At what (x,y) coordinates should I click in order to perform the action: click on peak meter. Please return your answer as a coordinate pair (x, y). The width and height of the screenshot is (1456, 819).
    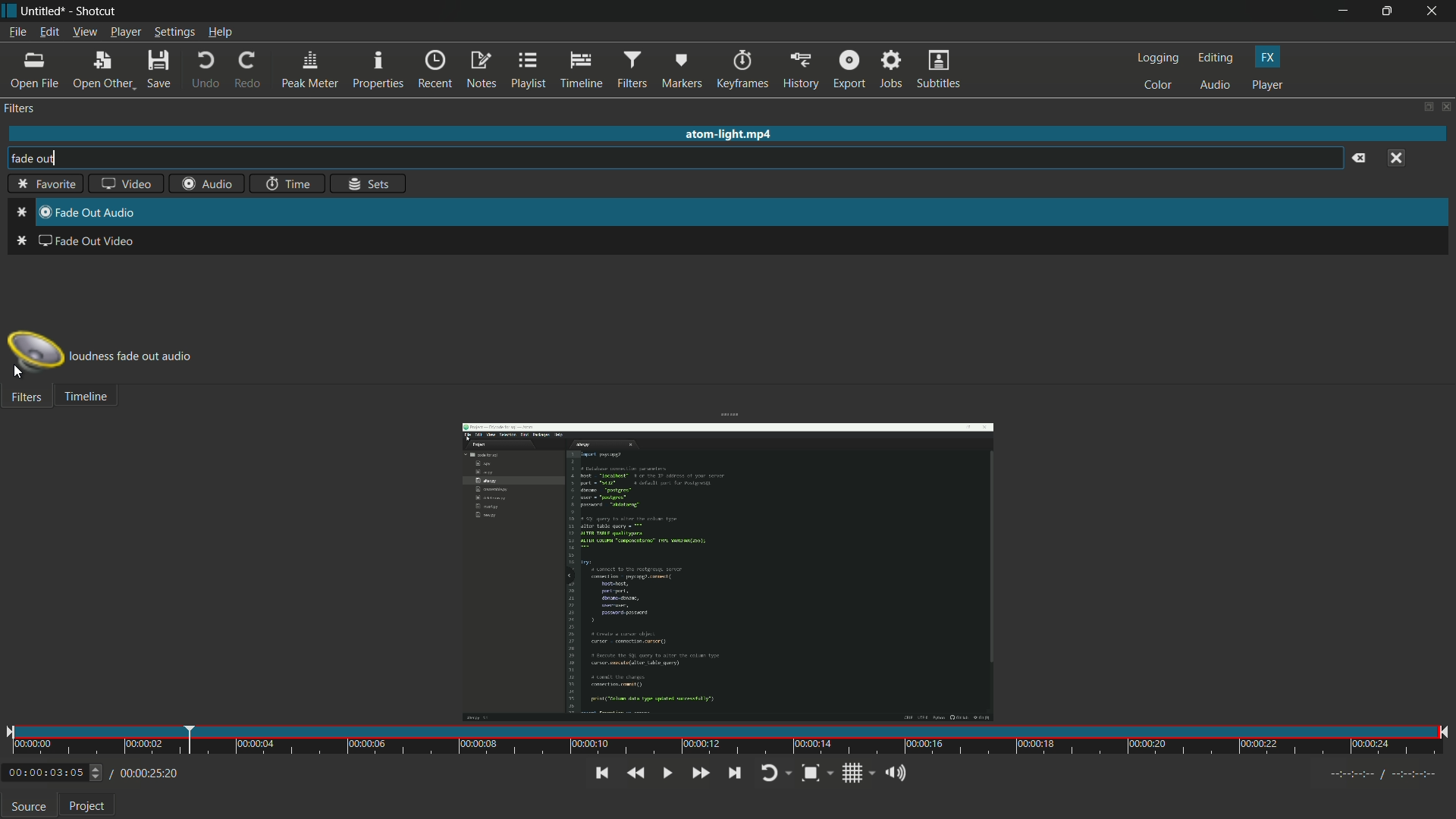
    Looking at the image, I should click on (310, 70).